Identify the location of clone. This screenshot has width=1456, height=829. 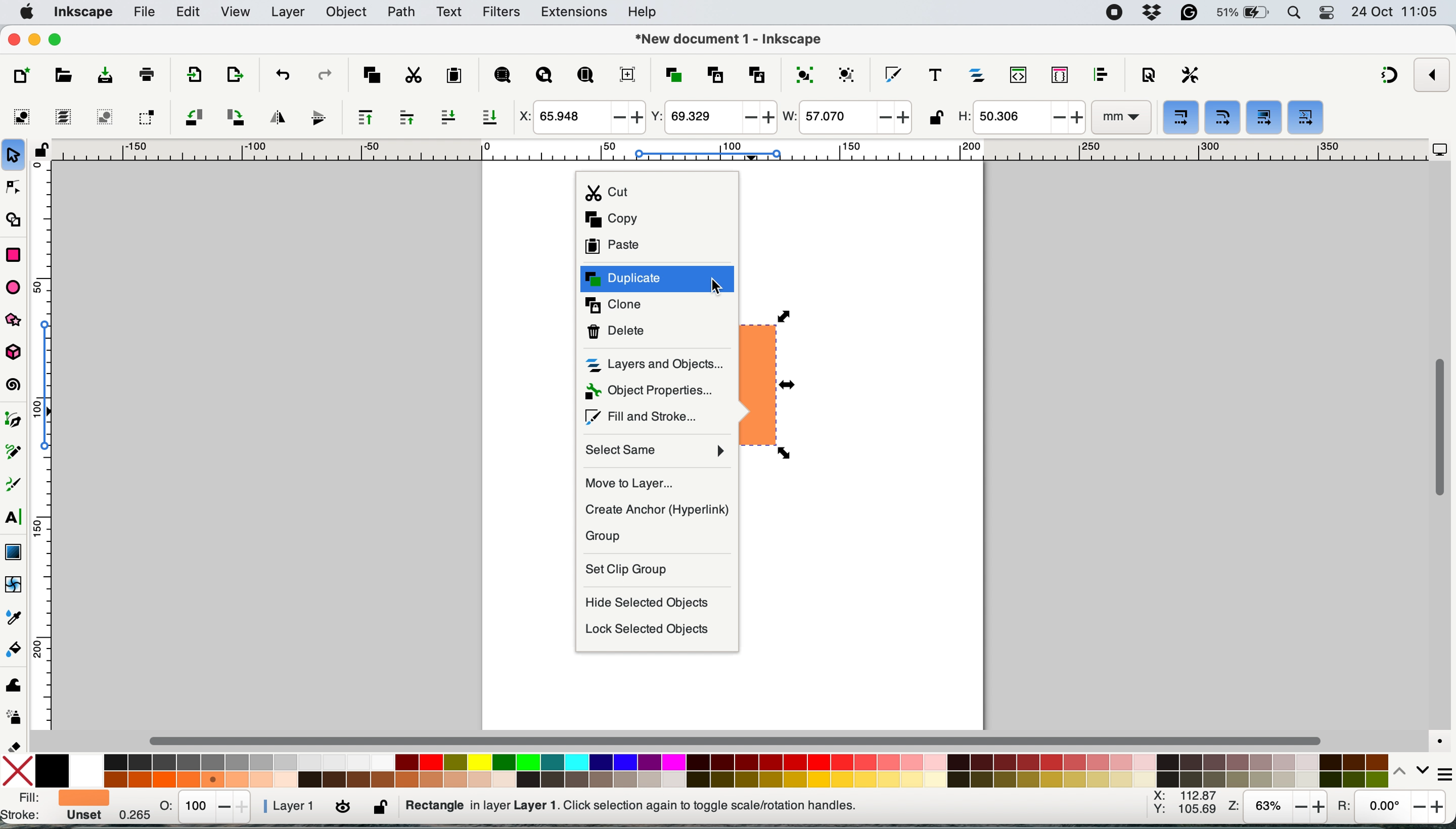
(660, 307).